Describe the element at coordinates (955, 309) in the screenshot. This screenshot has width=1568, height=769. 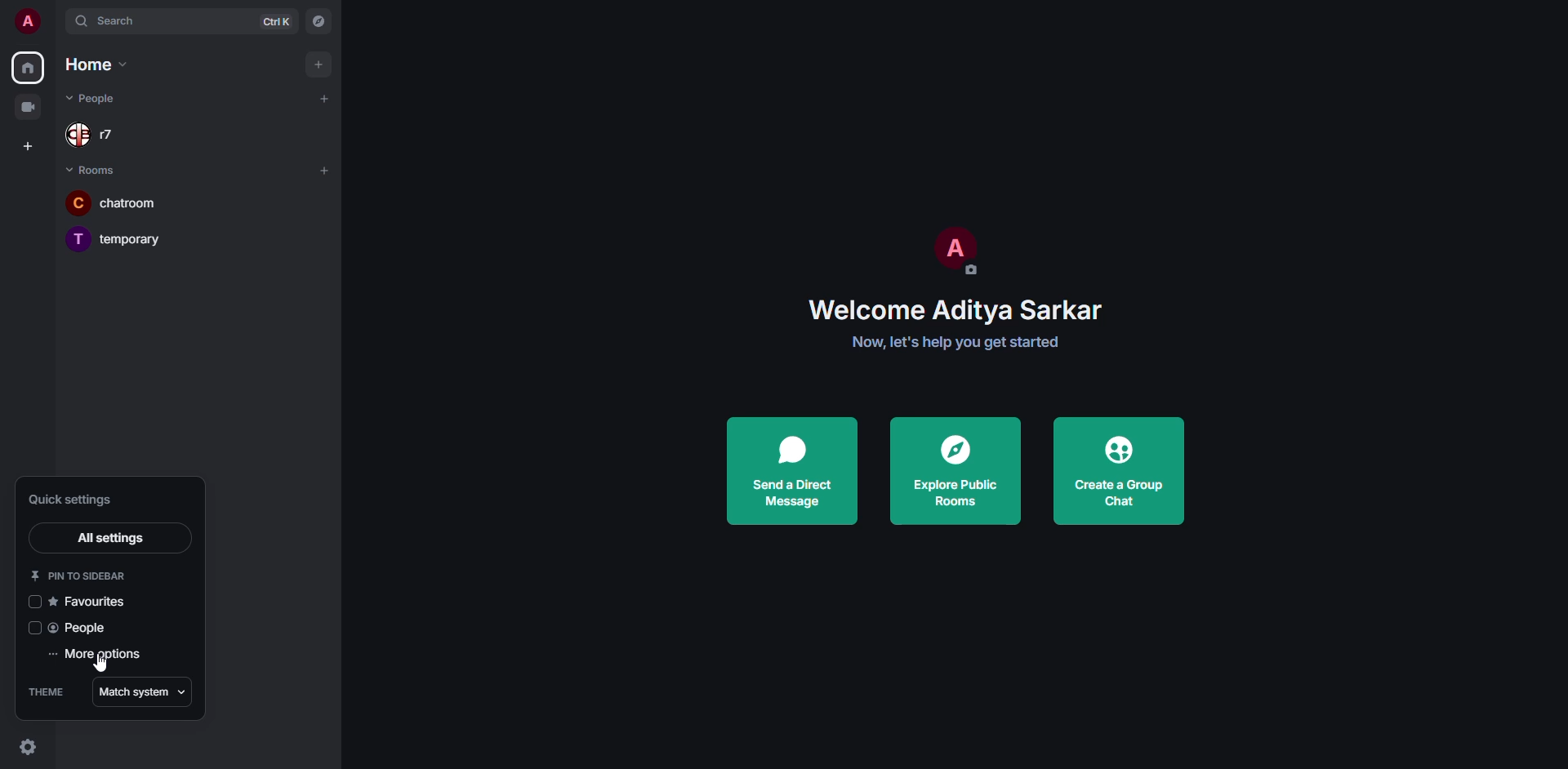
I see `welcome` at that location.